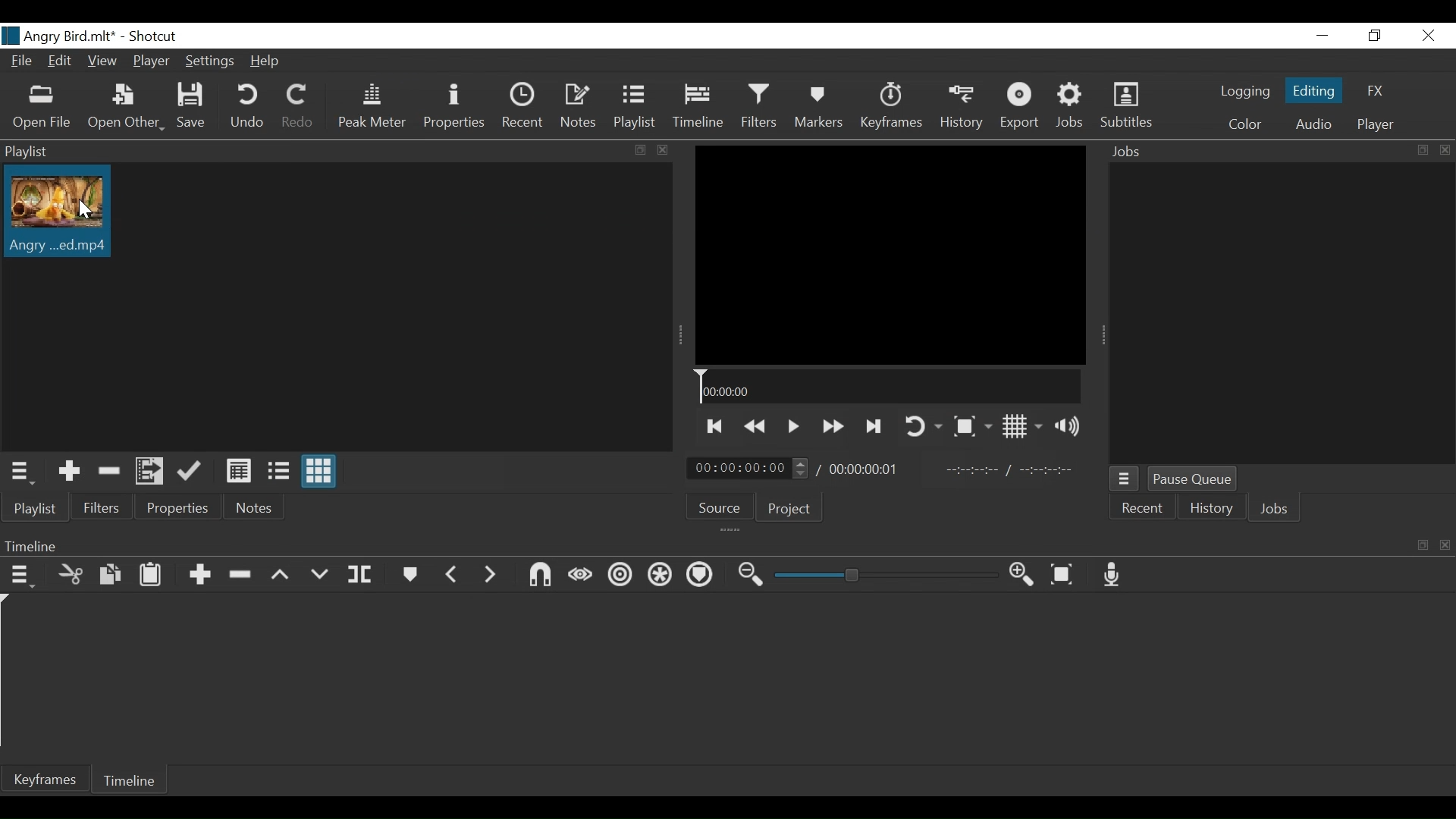 The image size is (1456, 819). I want to click on Copy, so click(110, 575).